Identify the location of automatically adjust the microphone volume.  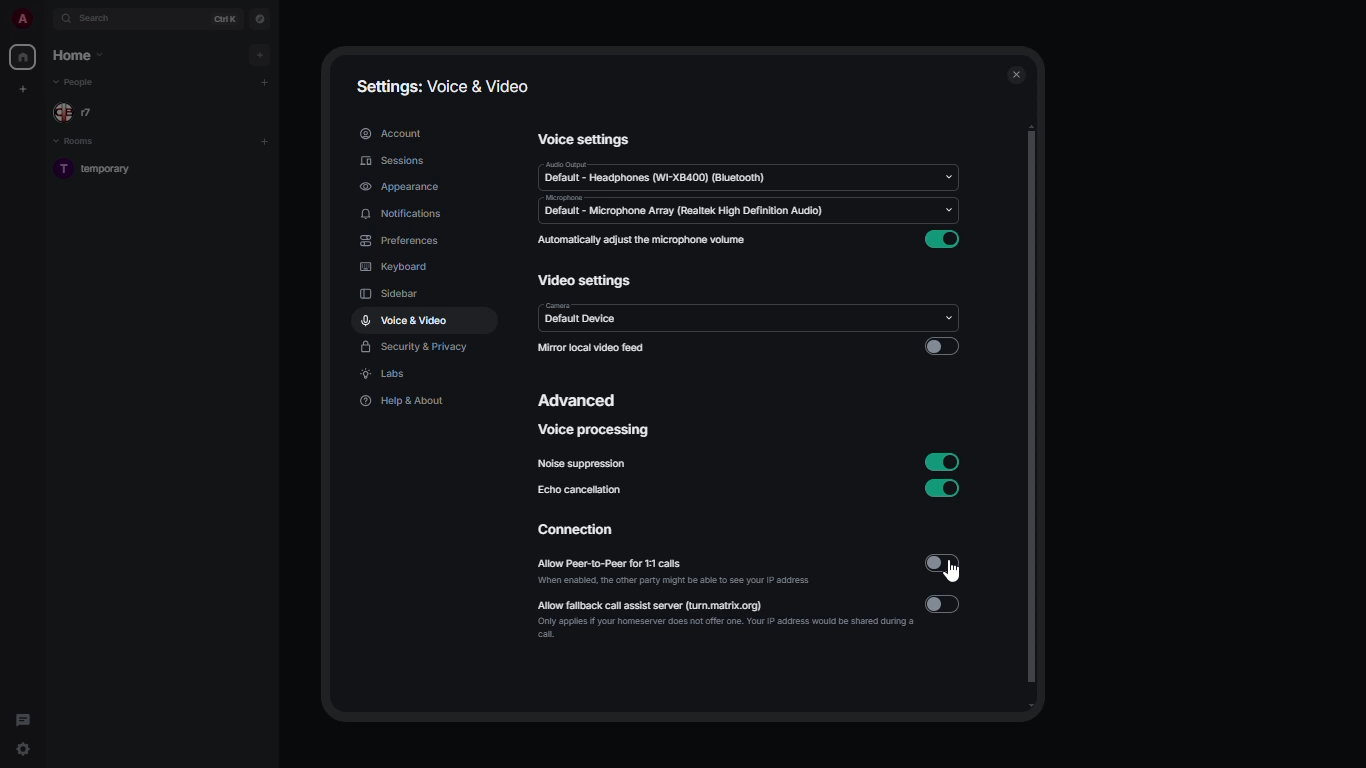
(641, 240).